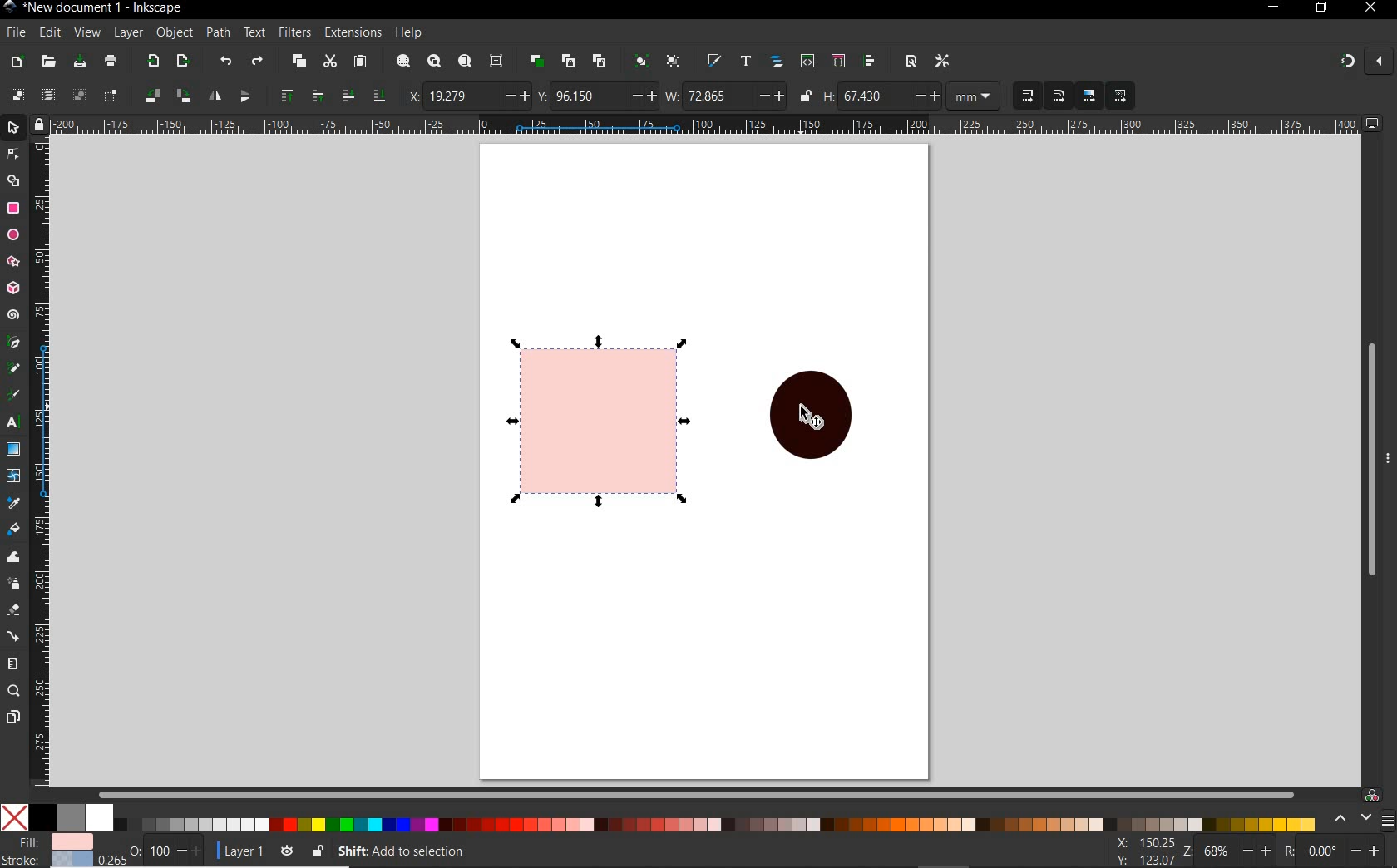 The height and width of the screenshot is (868, 1397). What do you see at coordinates (255, 32) in the screenshot?
I see `text` at bounding box center [255, 32].